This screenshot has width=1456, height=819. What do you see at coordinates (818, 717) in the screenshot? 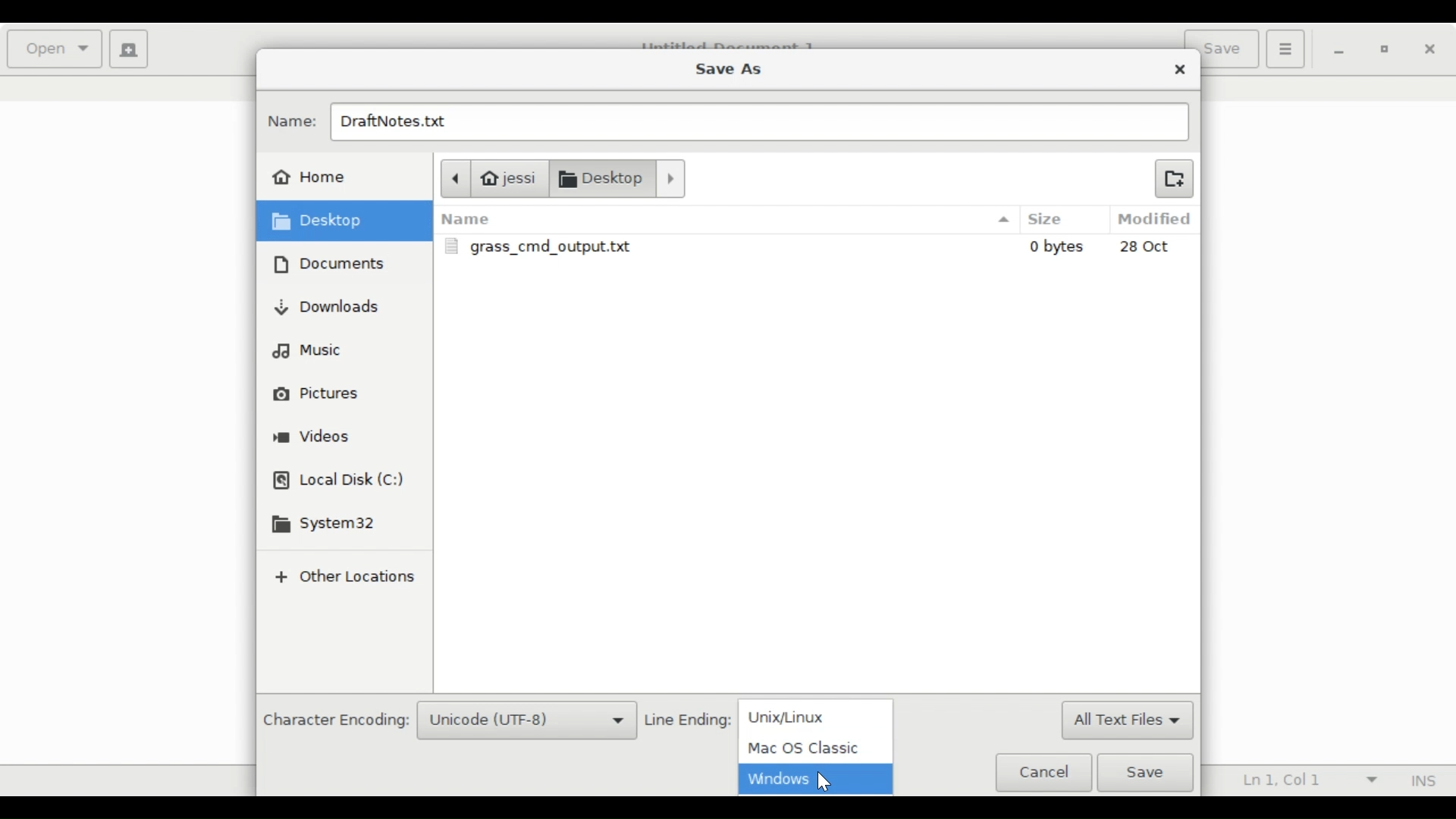
I see `Unix/Linux` at bounding box center [818, 717].